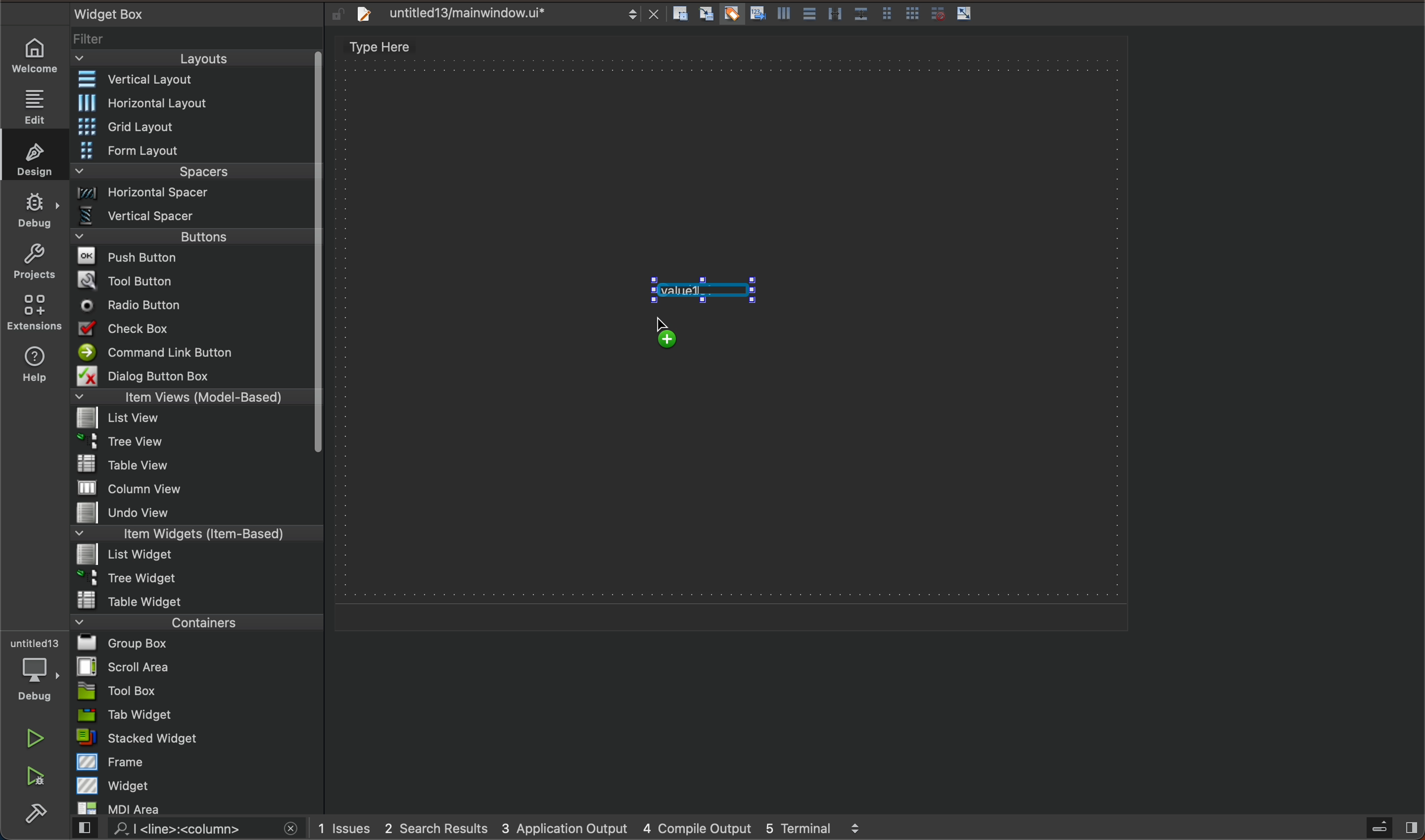 The width and height of the screenshot is (1425, 840). What do you see at coordinates (935, 14) in the screenshot?
I see `` at bounding box center [935, 14].